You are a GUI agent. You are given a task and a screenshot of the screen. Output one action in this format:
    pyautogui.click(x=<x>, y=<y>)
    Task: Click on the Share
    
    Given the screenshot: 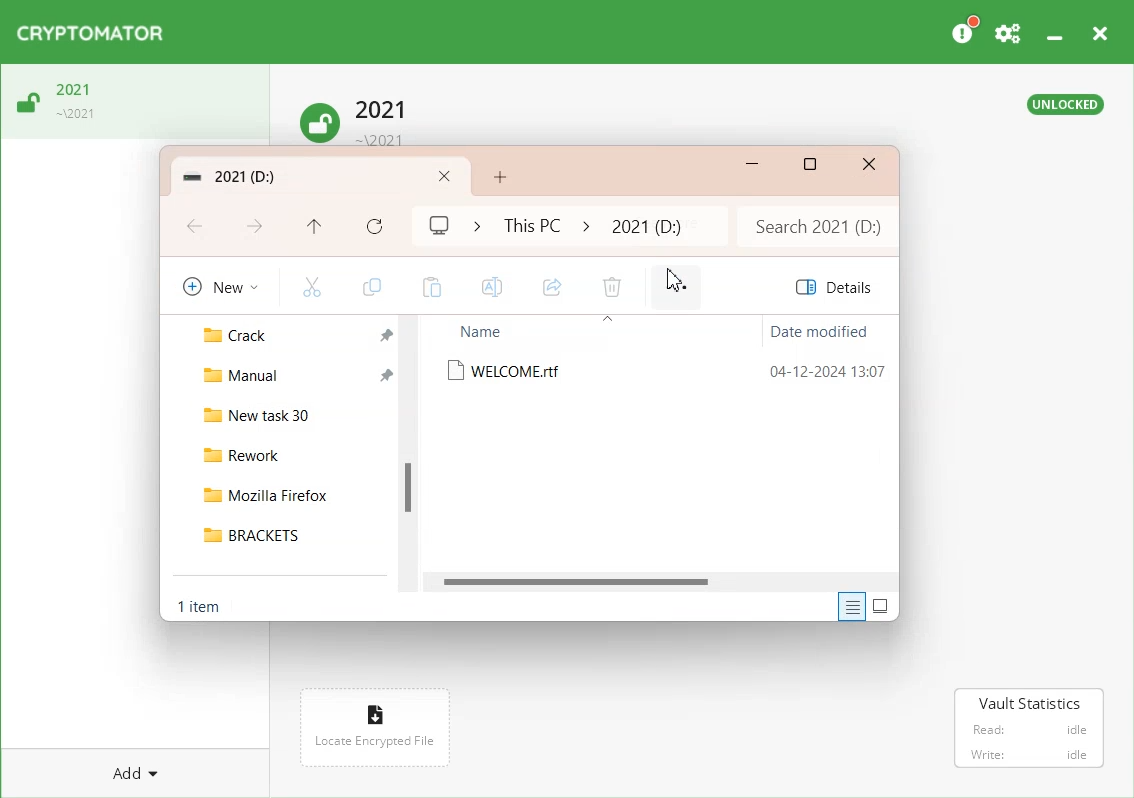 What is the action you would take?
    pyautogui.click(x=553, y=286)
    